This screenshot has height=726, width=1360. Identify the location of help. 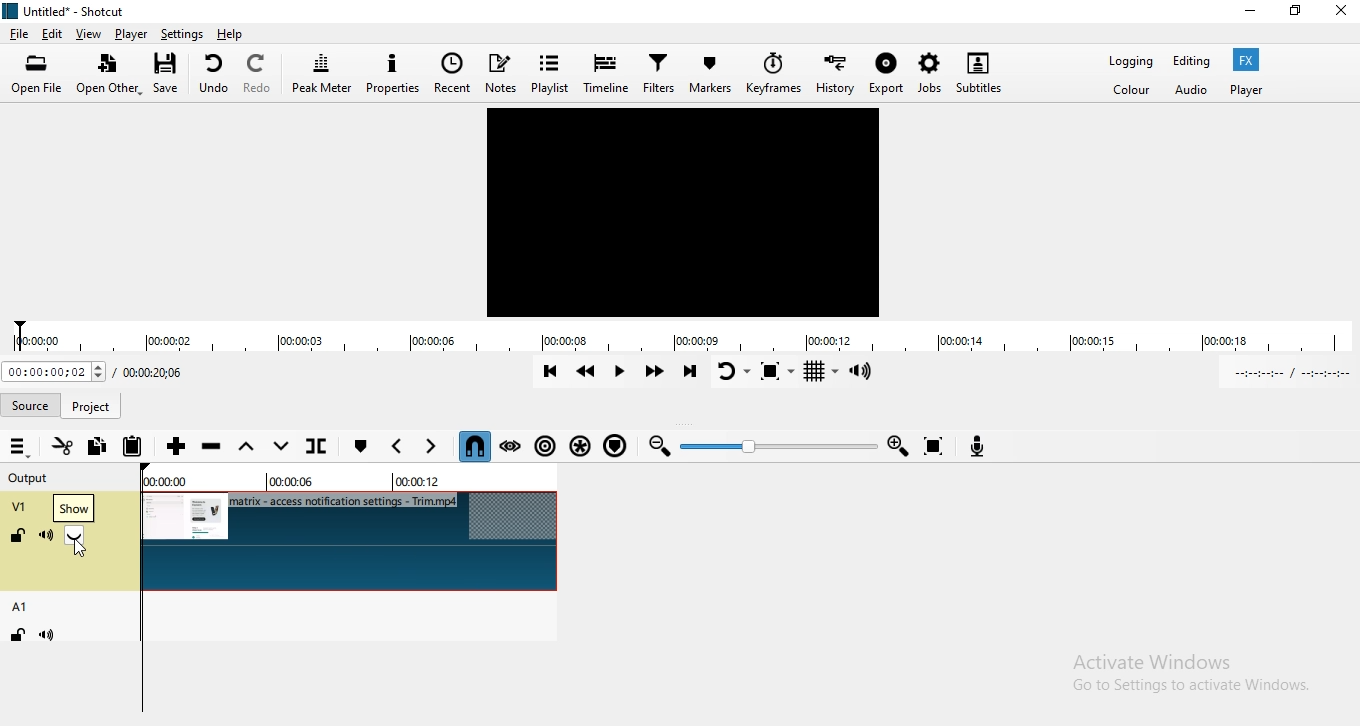
(237, 33).